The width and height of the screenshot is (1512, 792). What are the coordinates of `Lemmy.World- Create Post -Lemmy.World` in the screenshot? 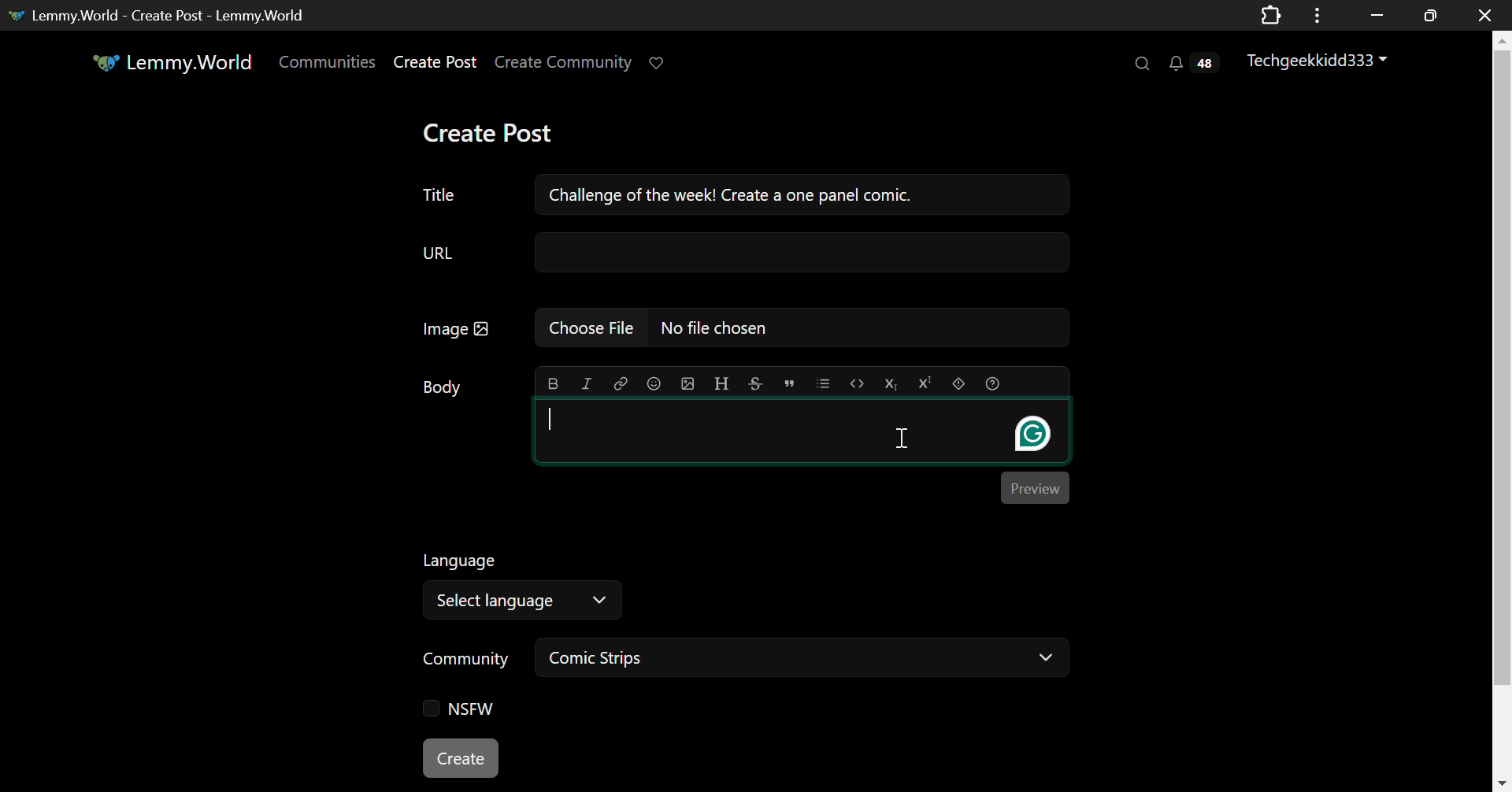 It's located at (162, 13).